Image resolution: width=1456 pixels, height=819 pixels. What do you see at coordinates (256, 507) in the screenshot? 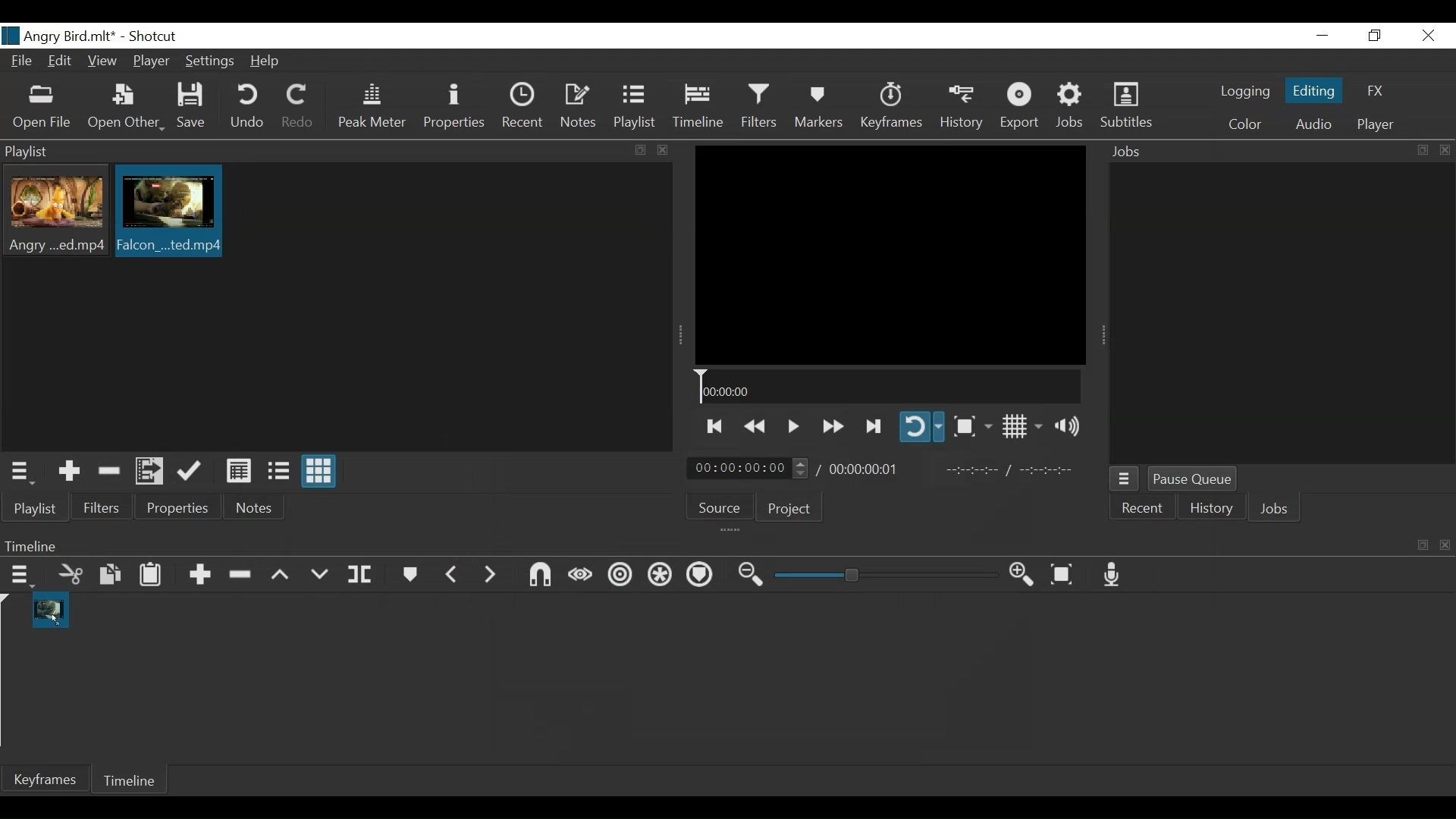
I see `Notes` at bounding box center [256, 507].